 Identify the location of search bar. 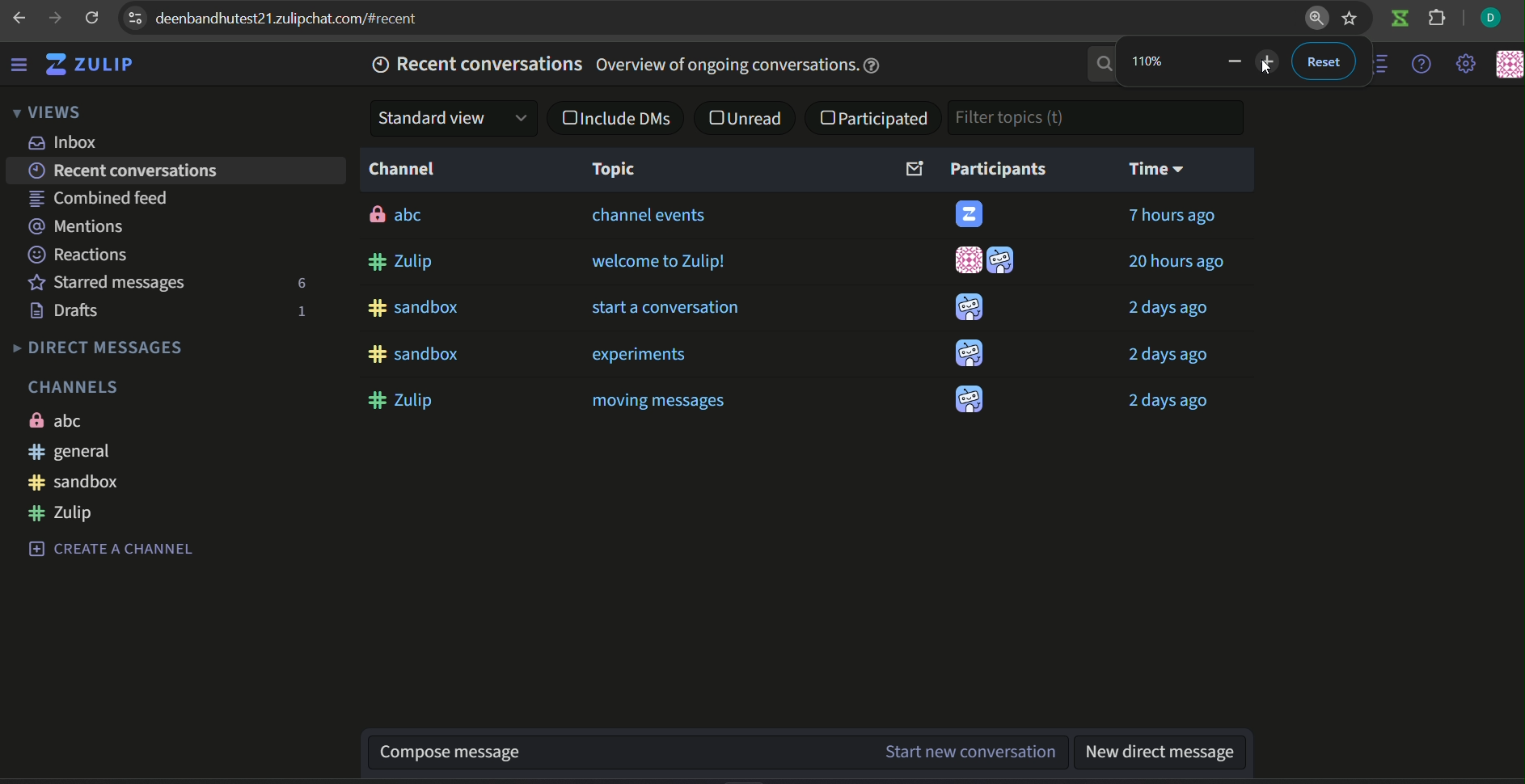
(1102, 63).